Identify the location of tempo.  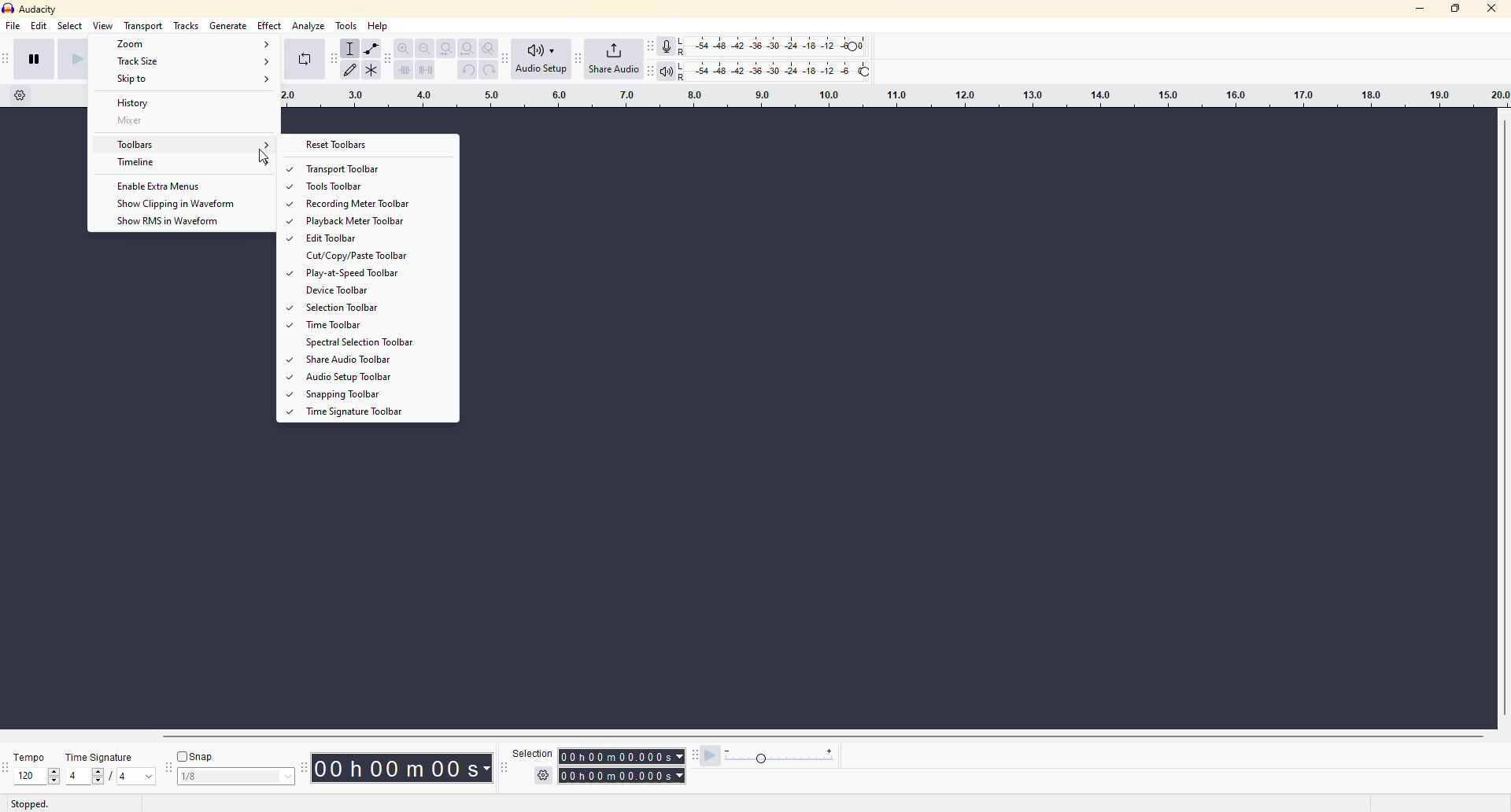
(28, 758).